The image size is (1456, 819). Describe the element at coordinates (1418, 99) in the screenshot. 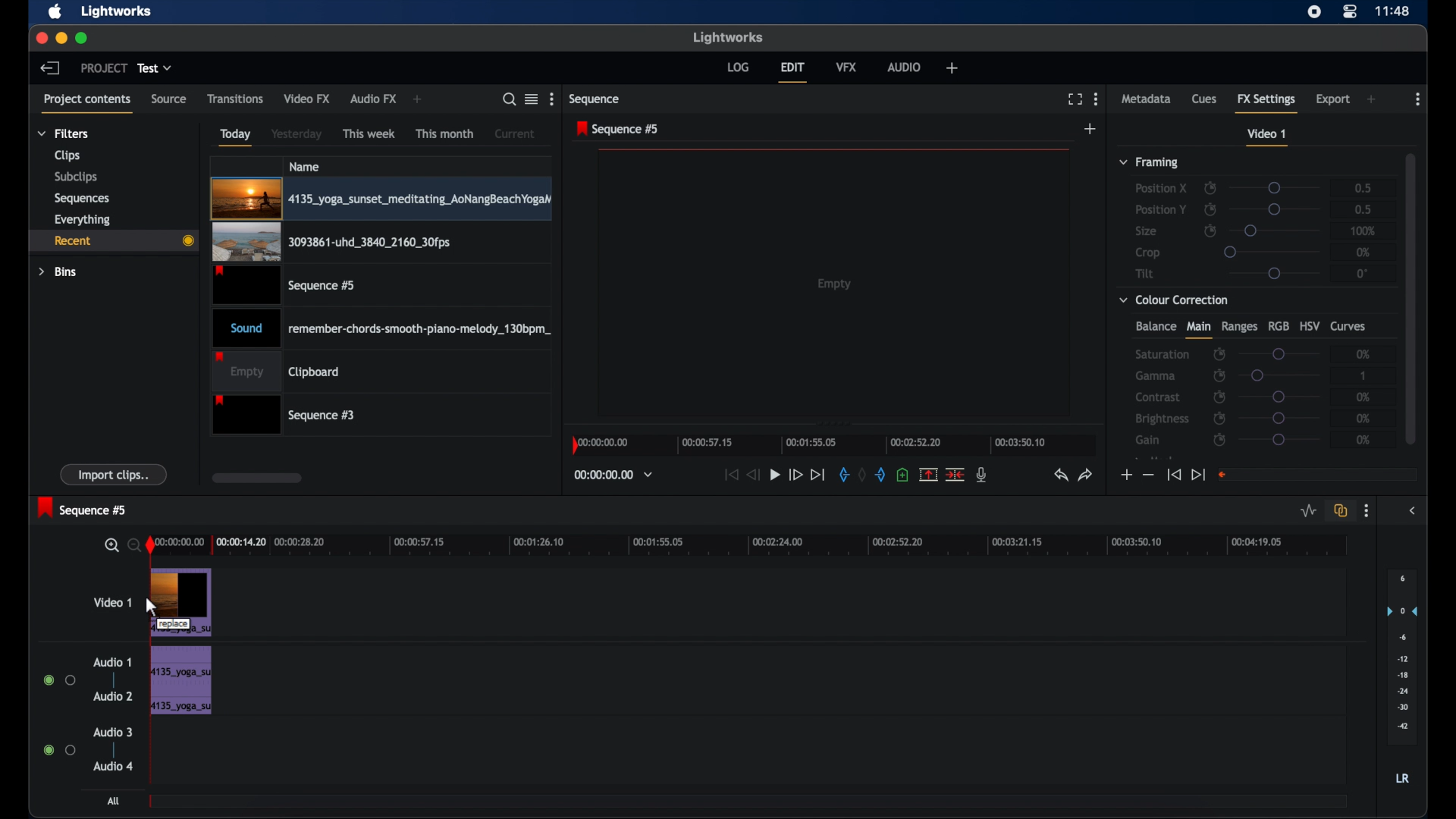

I see `more options` at that location.